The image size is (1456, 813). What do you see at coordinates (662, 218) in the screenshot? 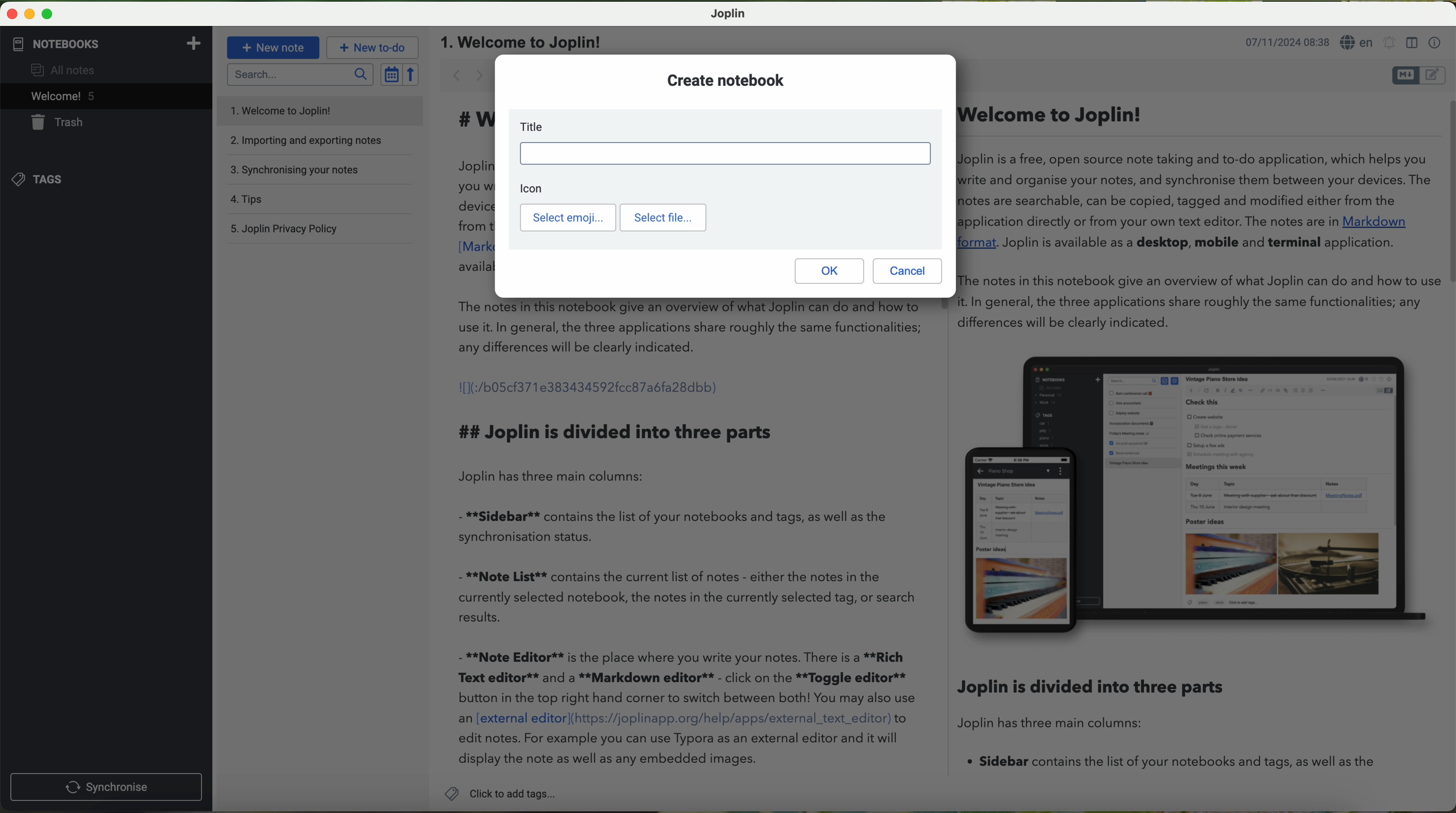
I see `select file` at bounding box center [662, 218].